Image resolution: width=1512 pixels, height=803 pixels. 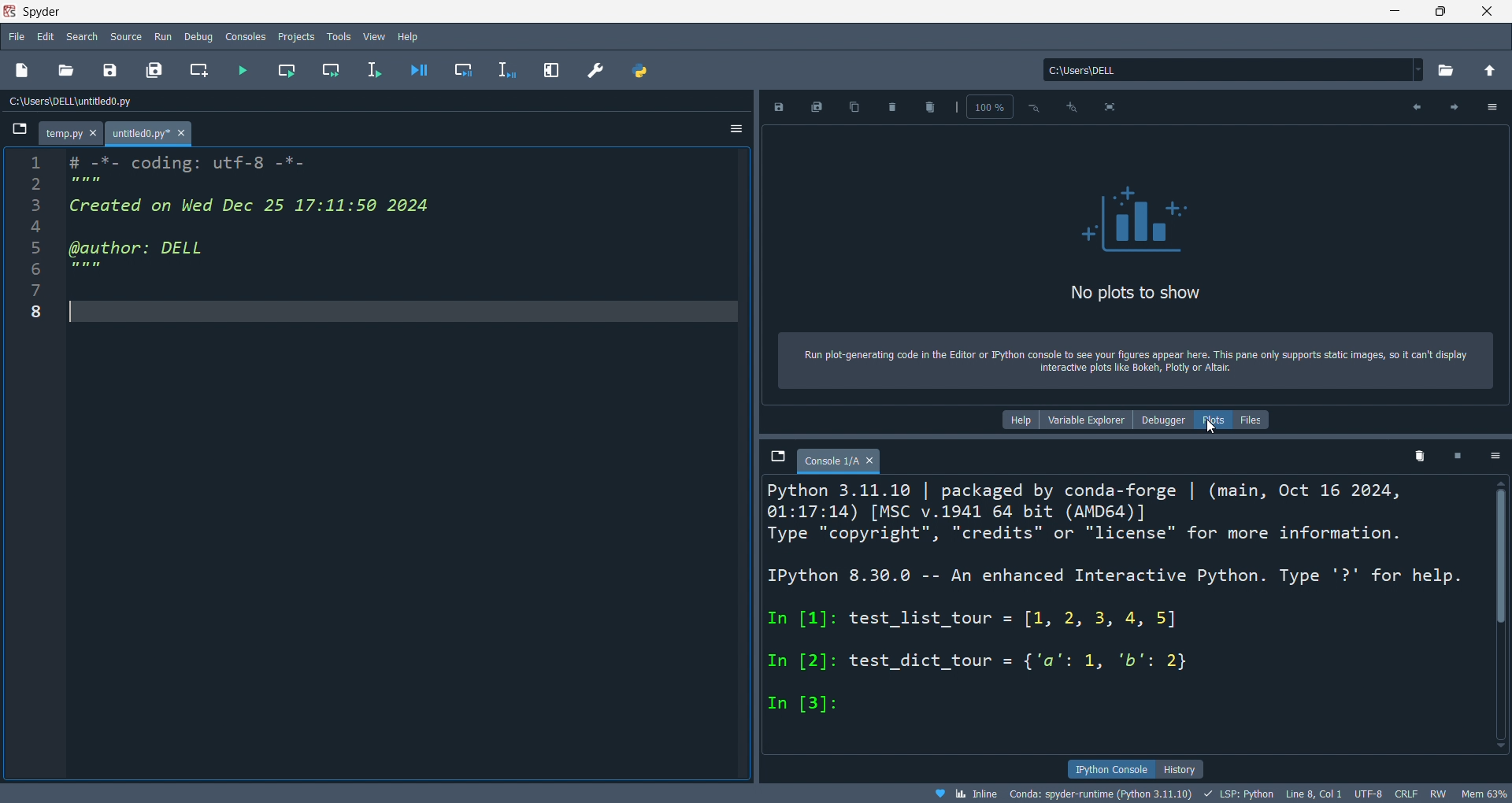 What do you see at coordinates (895, 109) in the screenshot?
I see `delete` at bounding box center [895, 109].